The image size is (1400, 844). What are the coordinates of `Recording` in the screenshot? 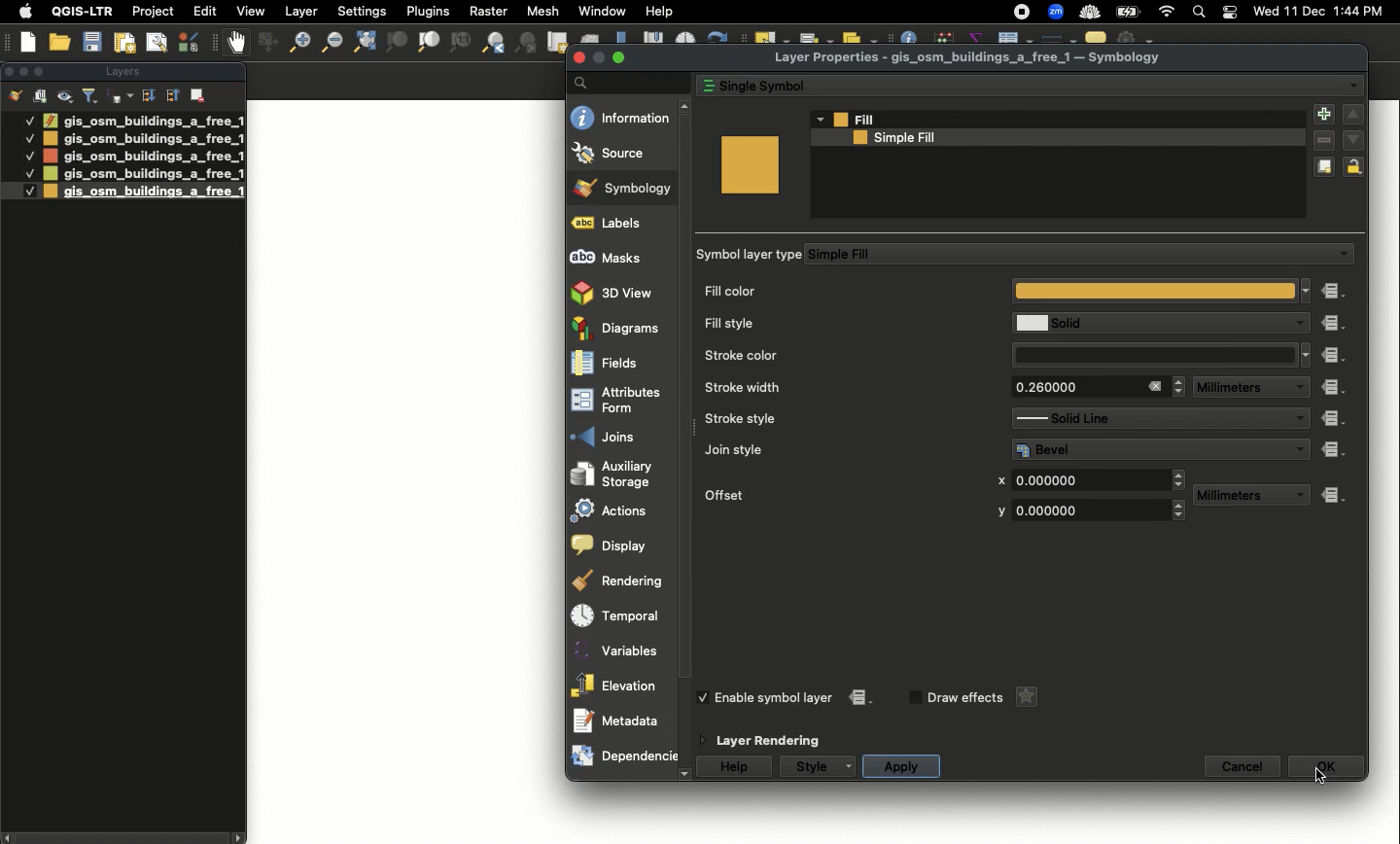 It's located at (1022, 13).